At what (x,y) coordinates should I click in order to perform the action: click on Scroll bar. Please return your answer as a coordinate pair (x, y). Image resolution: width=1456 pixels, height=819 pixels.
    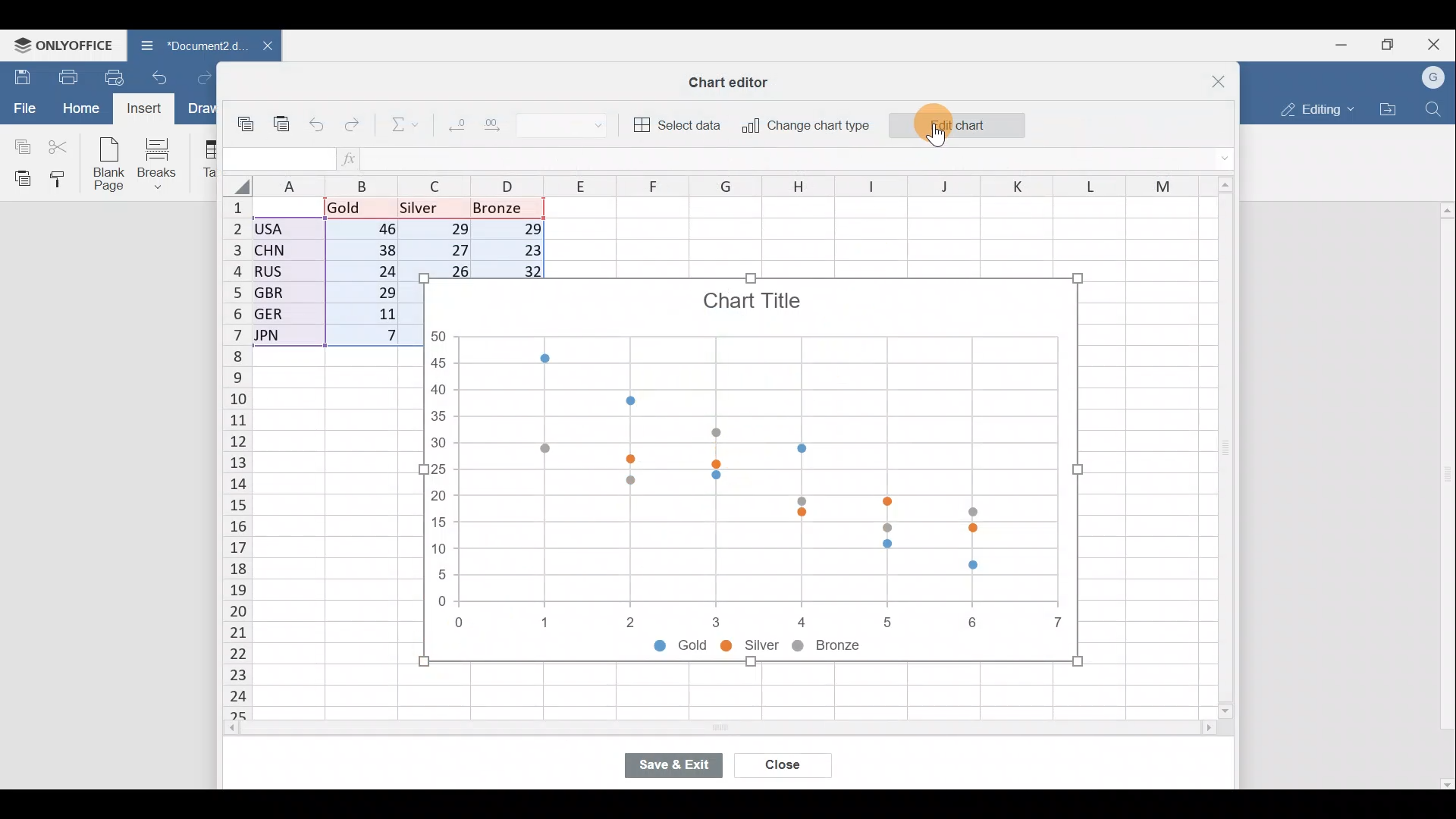
    Looking at the image, I should click on (687, 733).